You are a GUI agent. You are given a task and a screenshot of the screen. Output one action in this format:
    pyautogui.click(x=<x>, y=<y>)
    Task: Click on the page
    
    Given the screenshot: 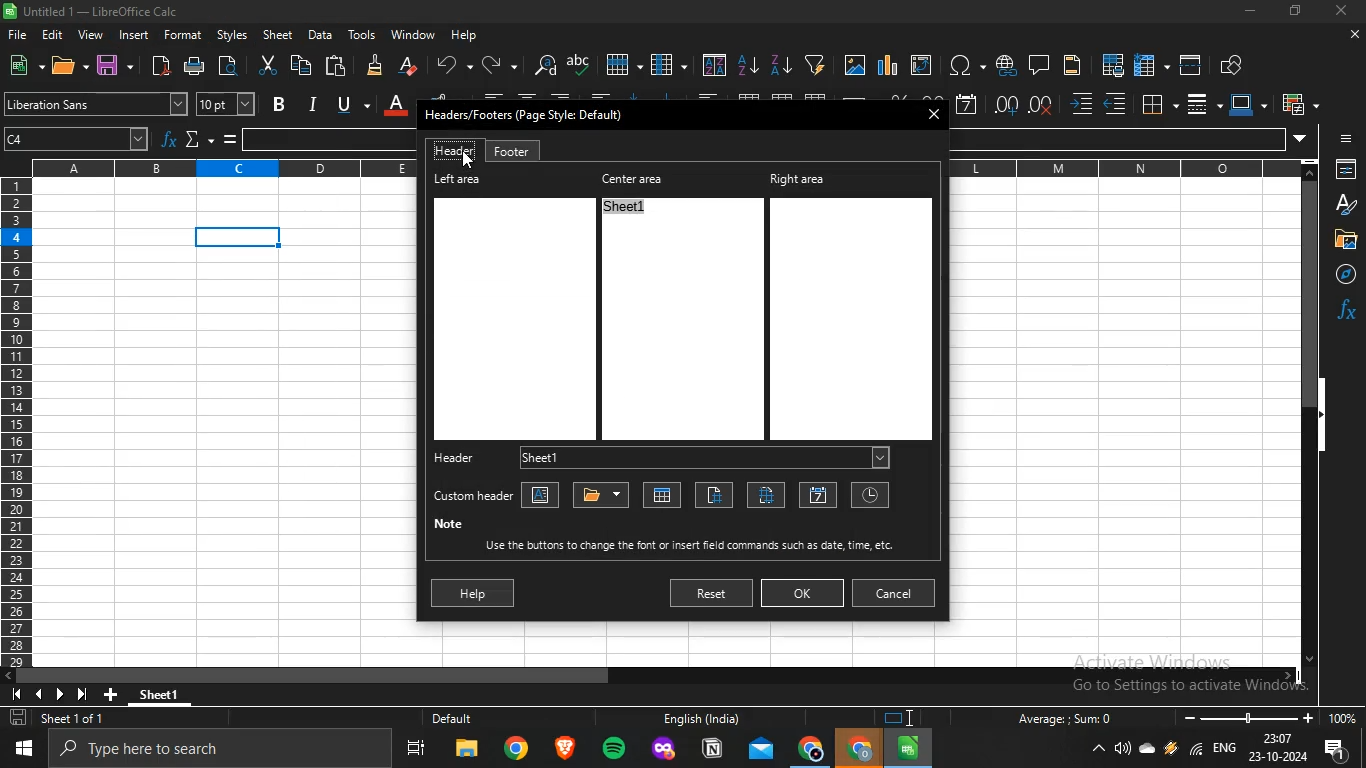 What is the action you would take?
    pyautogui.click(x=714, y=496)
    